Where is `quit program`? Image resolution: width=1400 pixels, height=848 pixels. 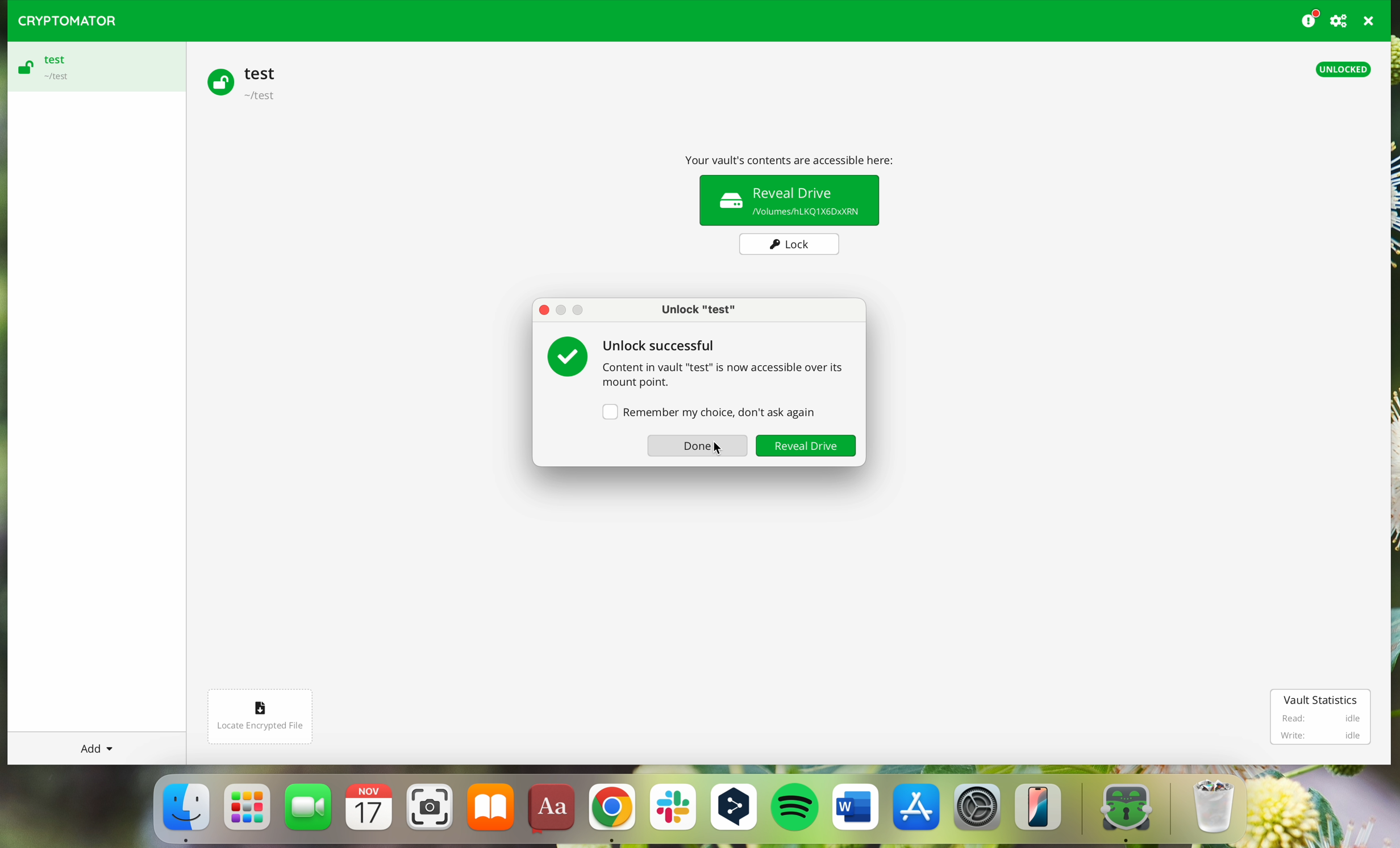
quit program is located at coordinates (1369, 21).